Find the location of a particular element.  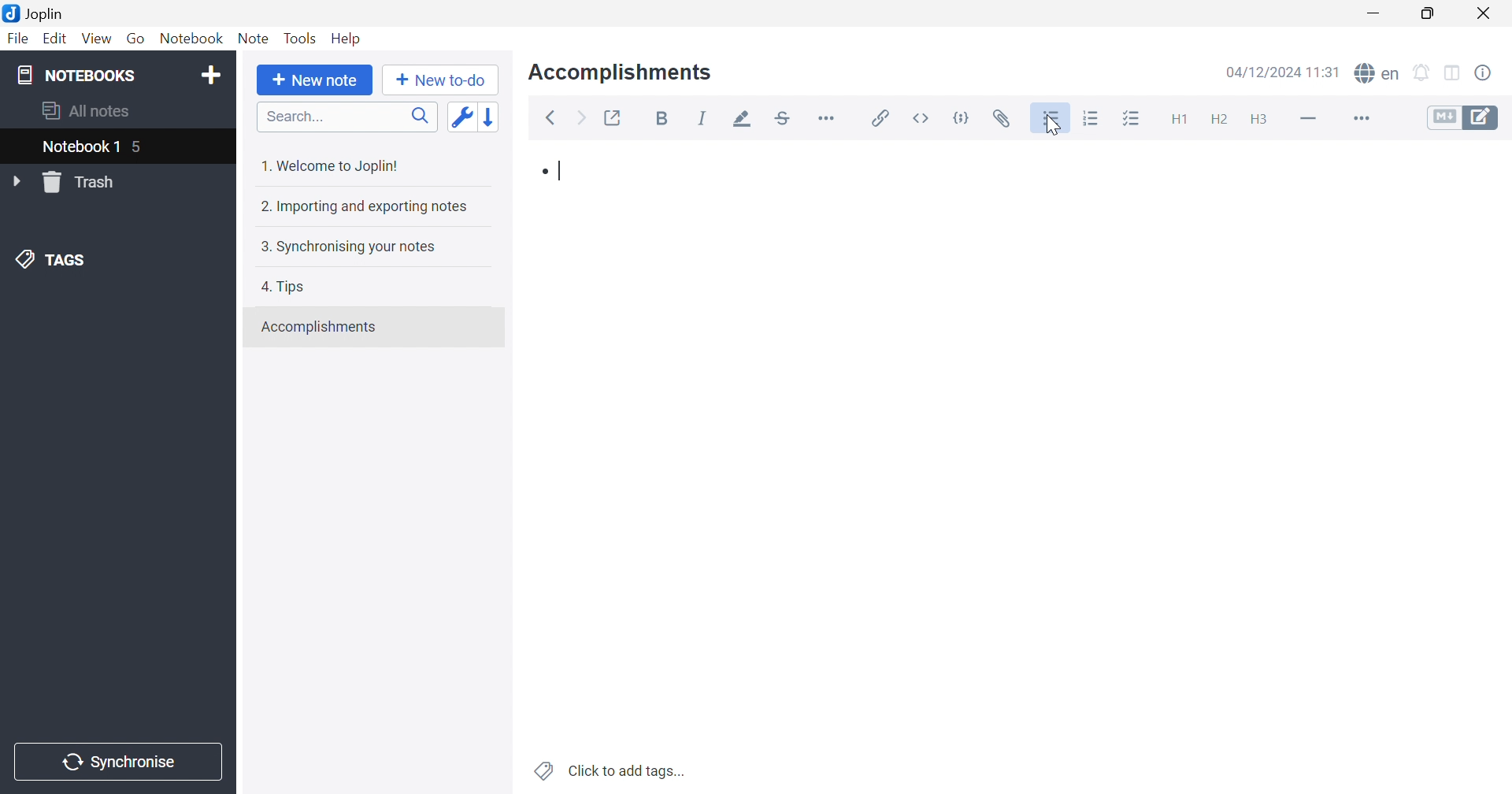

Toggle editor layout is located at coordinates (1454, 74).